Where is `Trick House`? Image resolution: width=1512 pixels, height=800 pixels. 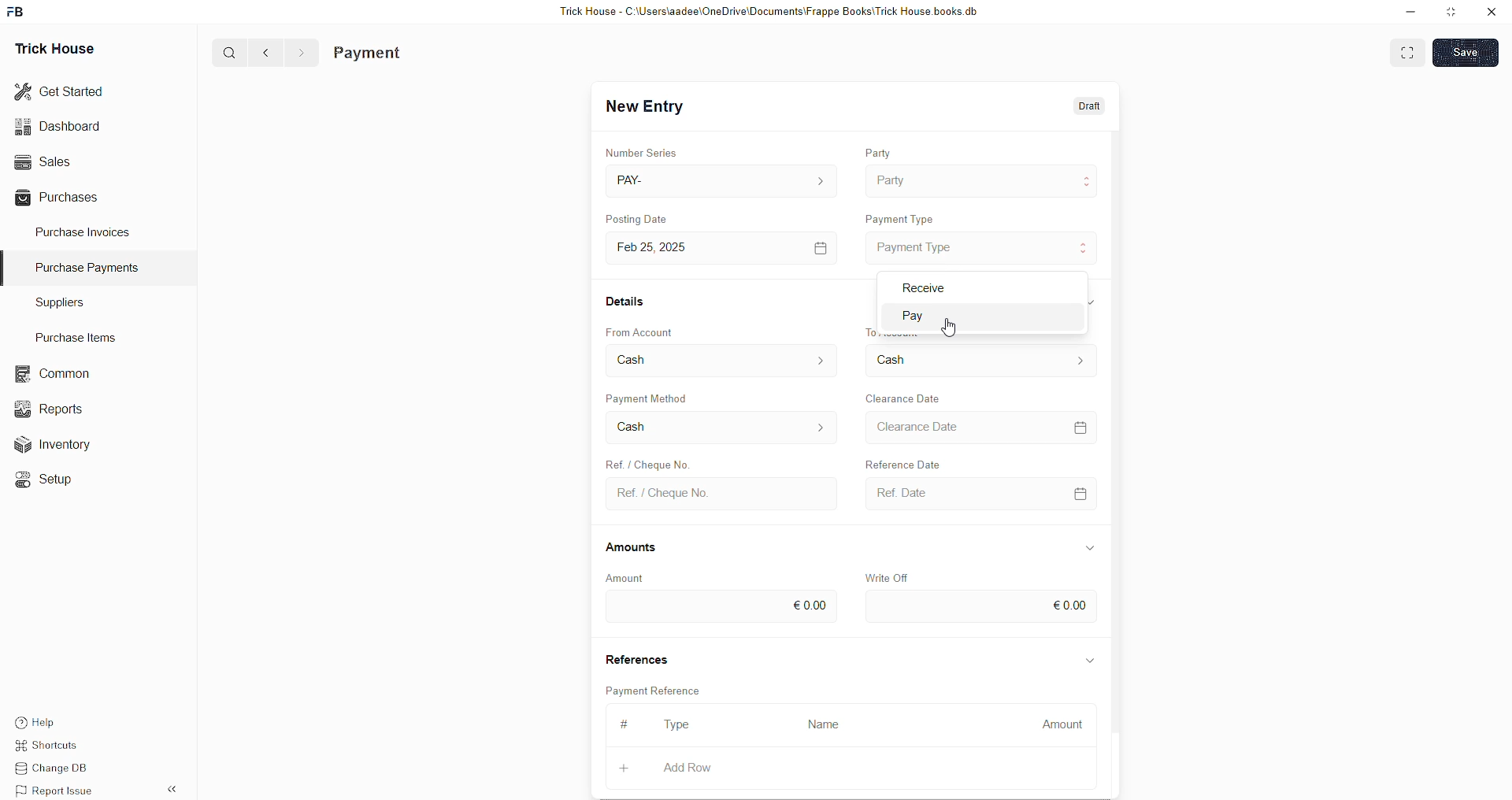 Trick House is located at coordinates (50, 47).